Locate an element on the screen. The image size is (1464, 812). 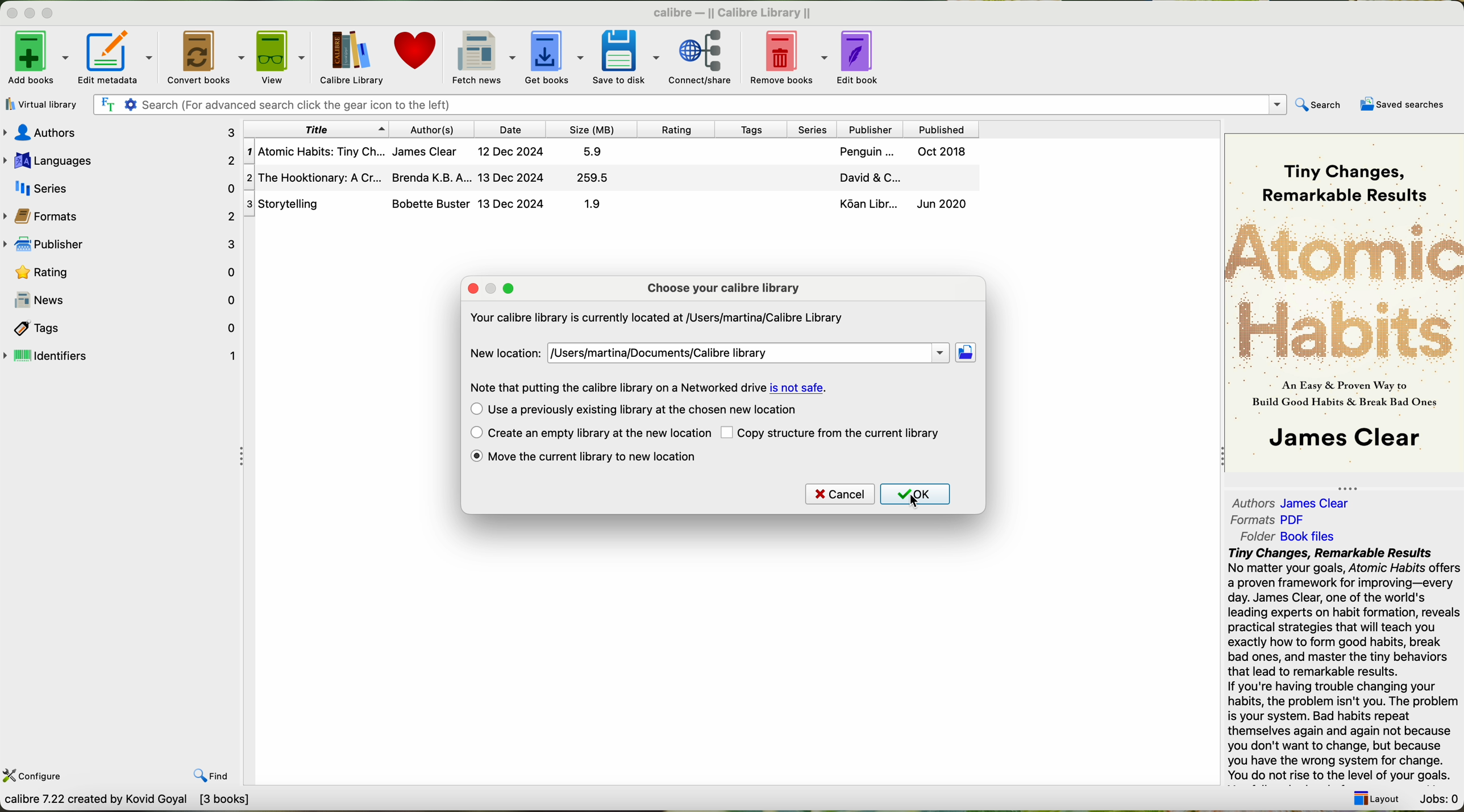
Collapse is located at coordinates (244, 457).